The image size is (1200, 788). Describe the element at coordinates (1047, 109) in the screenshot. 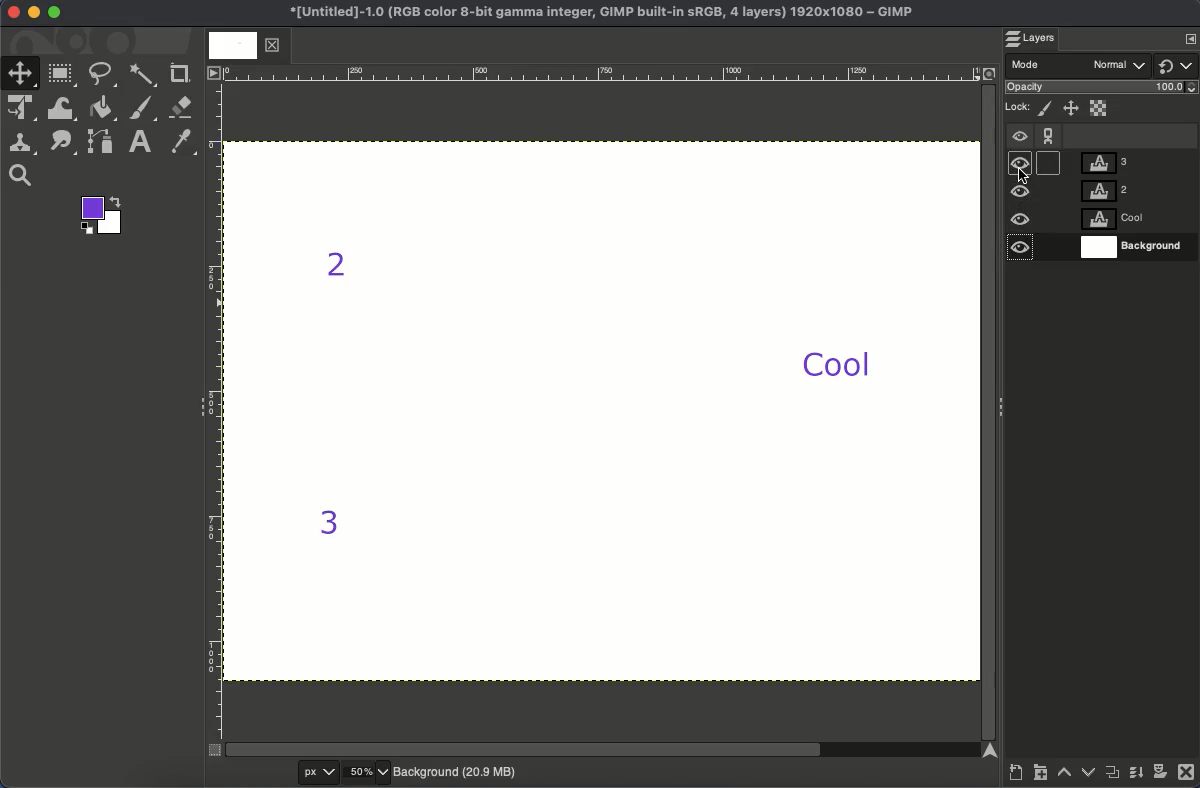

I see `Lock pixels` at that location.